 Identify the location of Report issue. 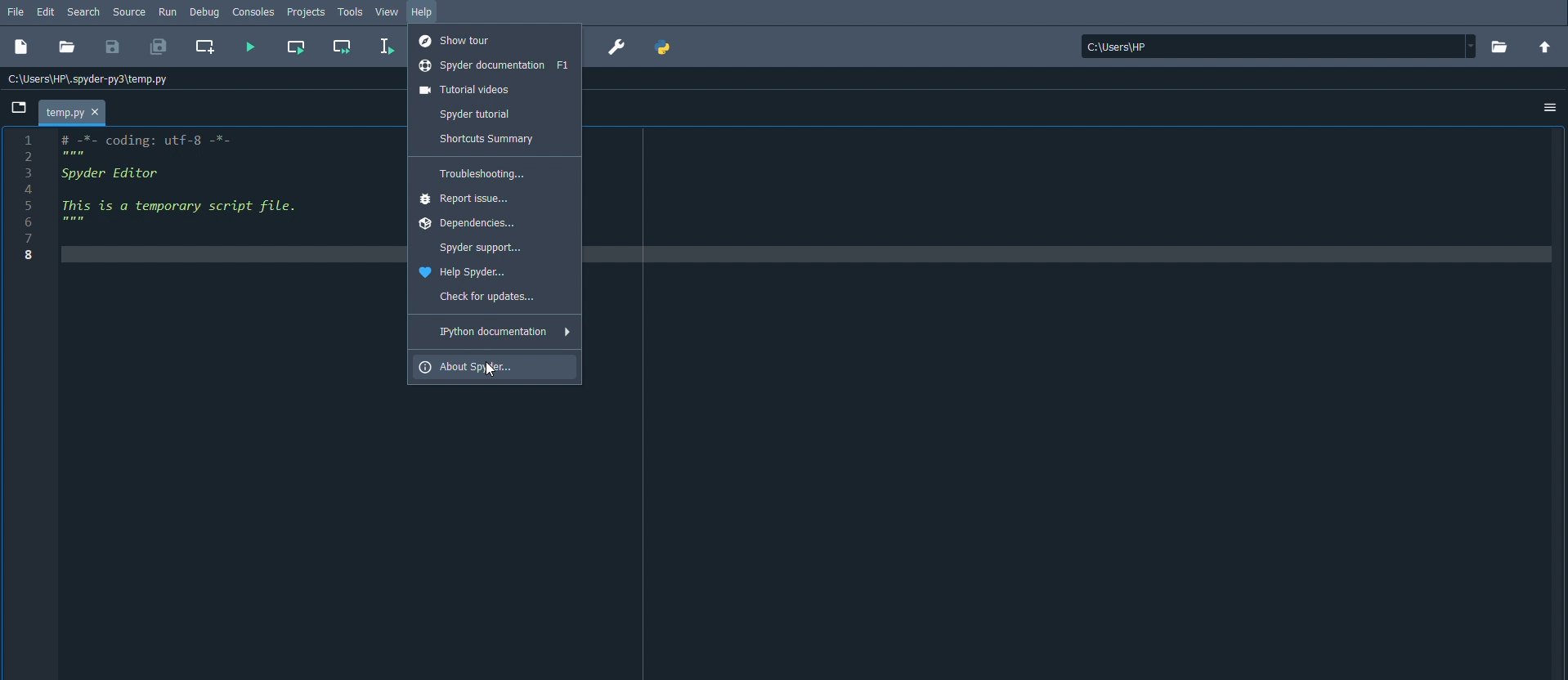
(468, 199).